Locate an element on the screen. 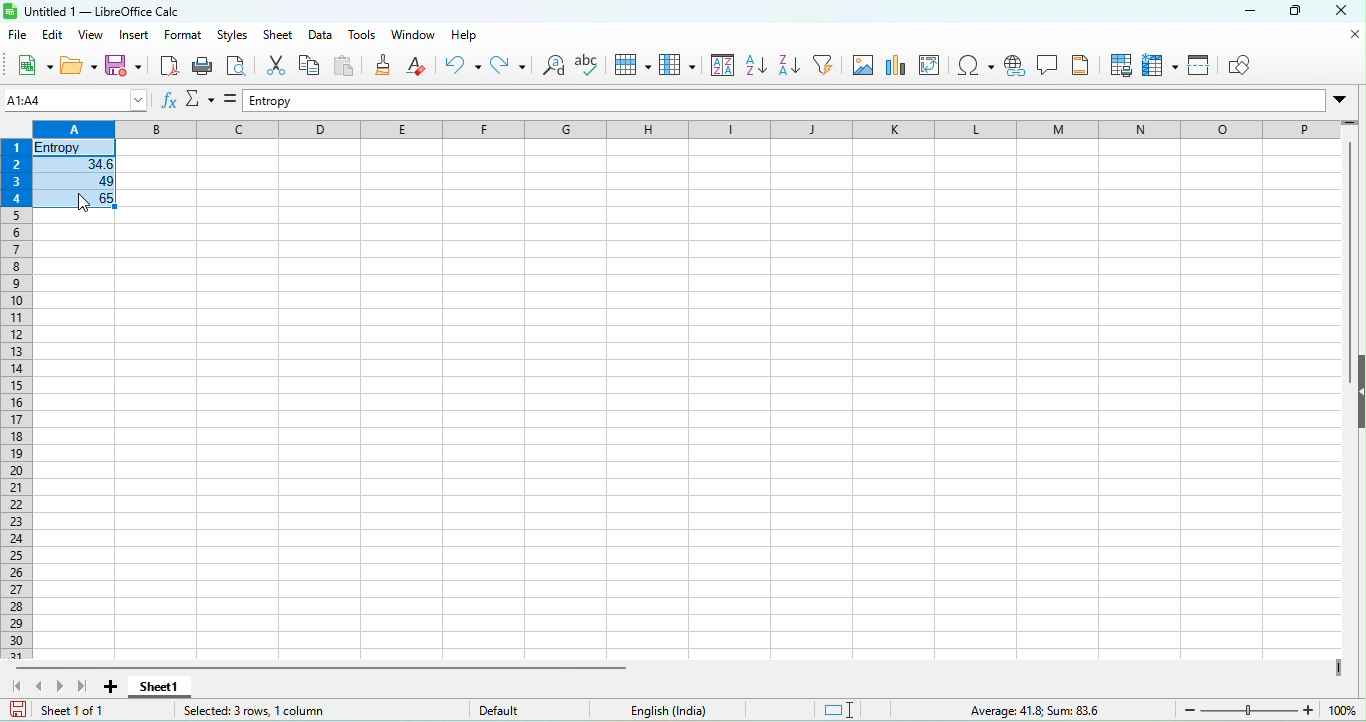 The image size is (1366, 722). view is located at coordinates (93, 36).